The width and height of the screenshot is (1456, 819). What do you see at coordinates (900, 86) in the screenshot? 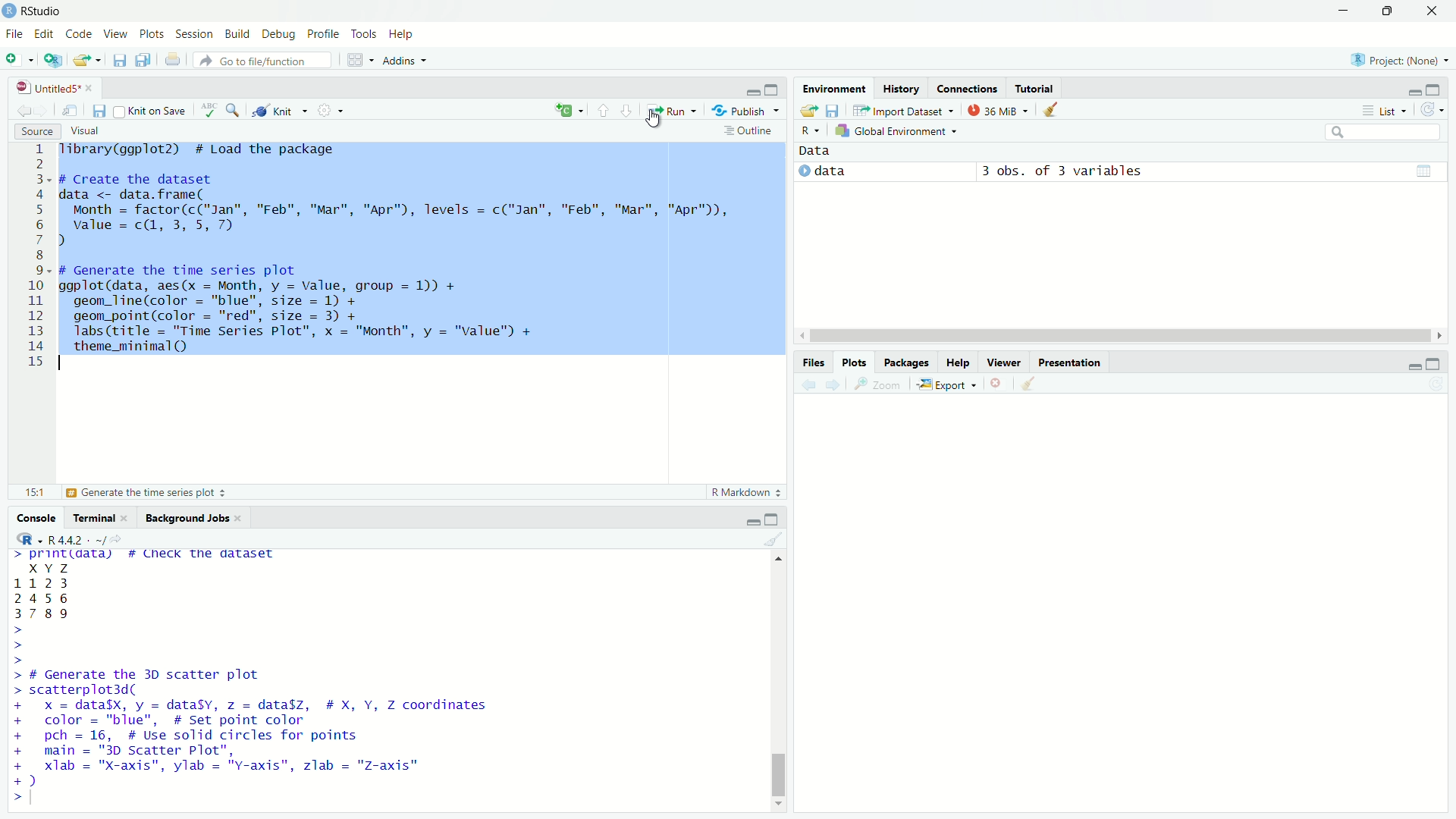
I see `history` at bounding box center [900, 86].